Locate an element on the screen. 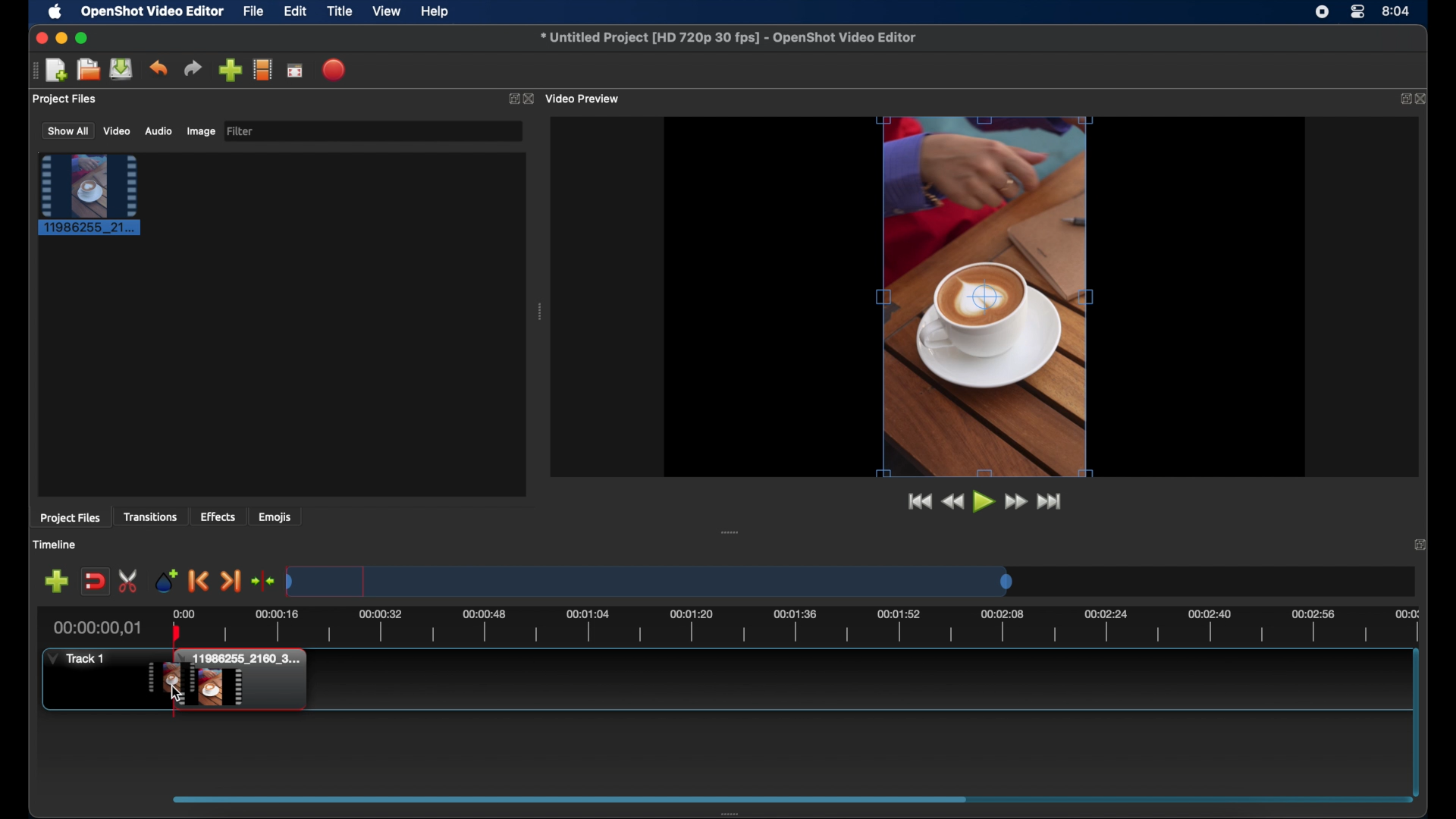 This screenshot has height=819, width=1456. image is located at coordinates (200, 131).